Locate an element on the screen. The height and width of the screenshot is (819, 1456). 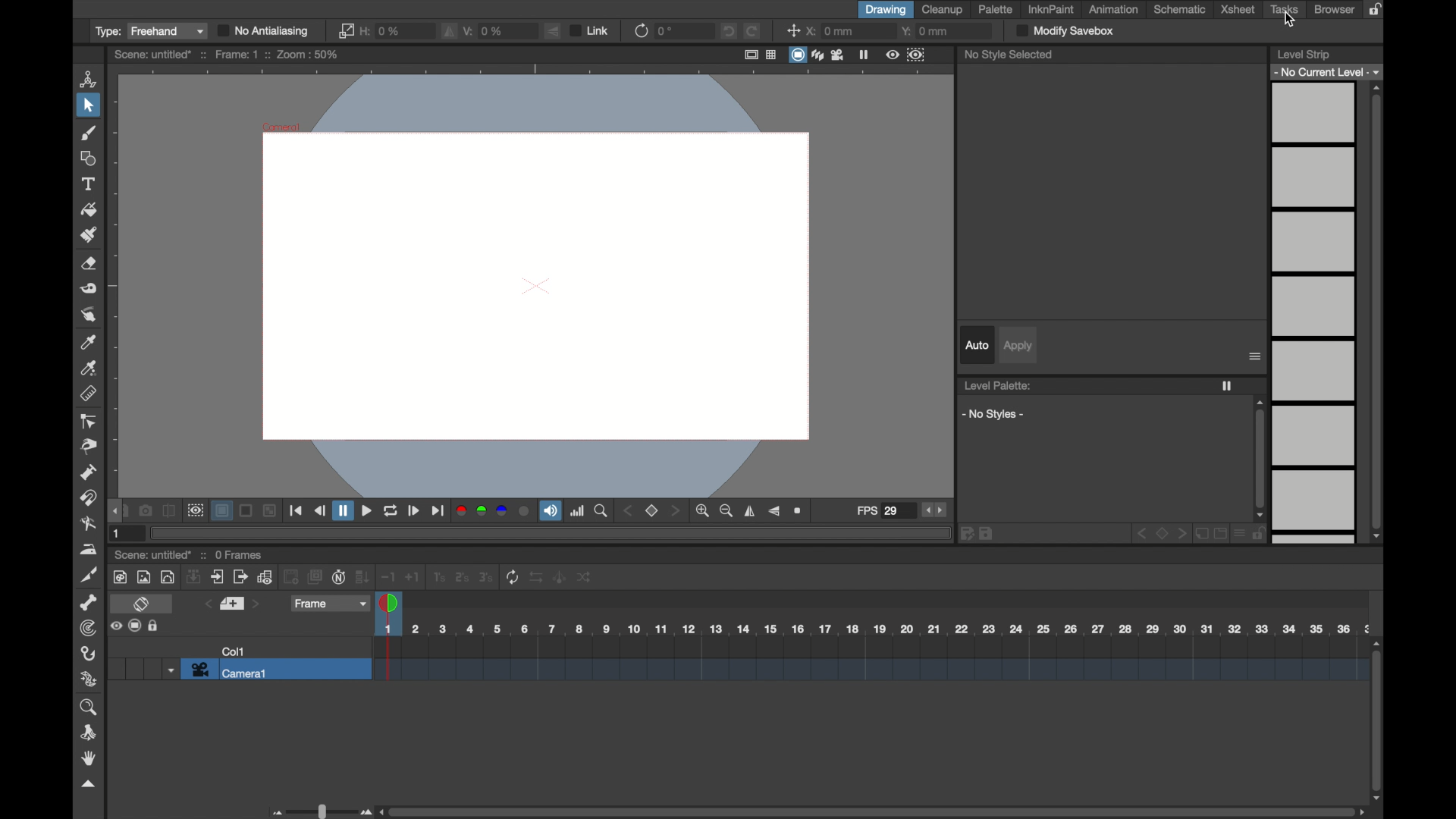
histogram is located at coordinates (579, 511).